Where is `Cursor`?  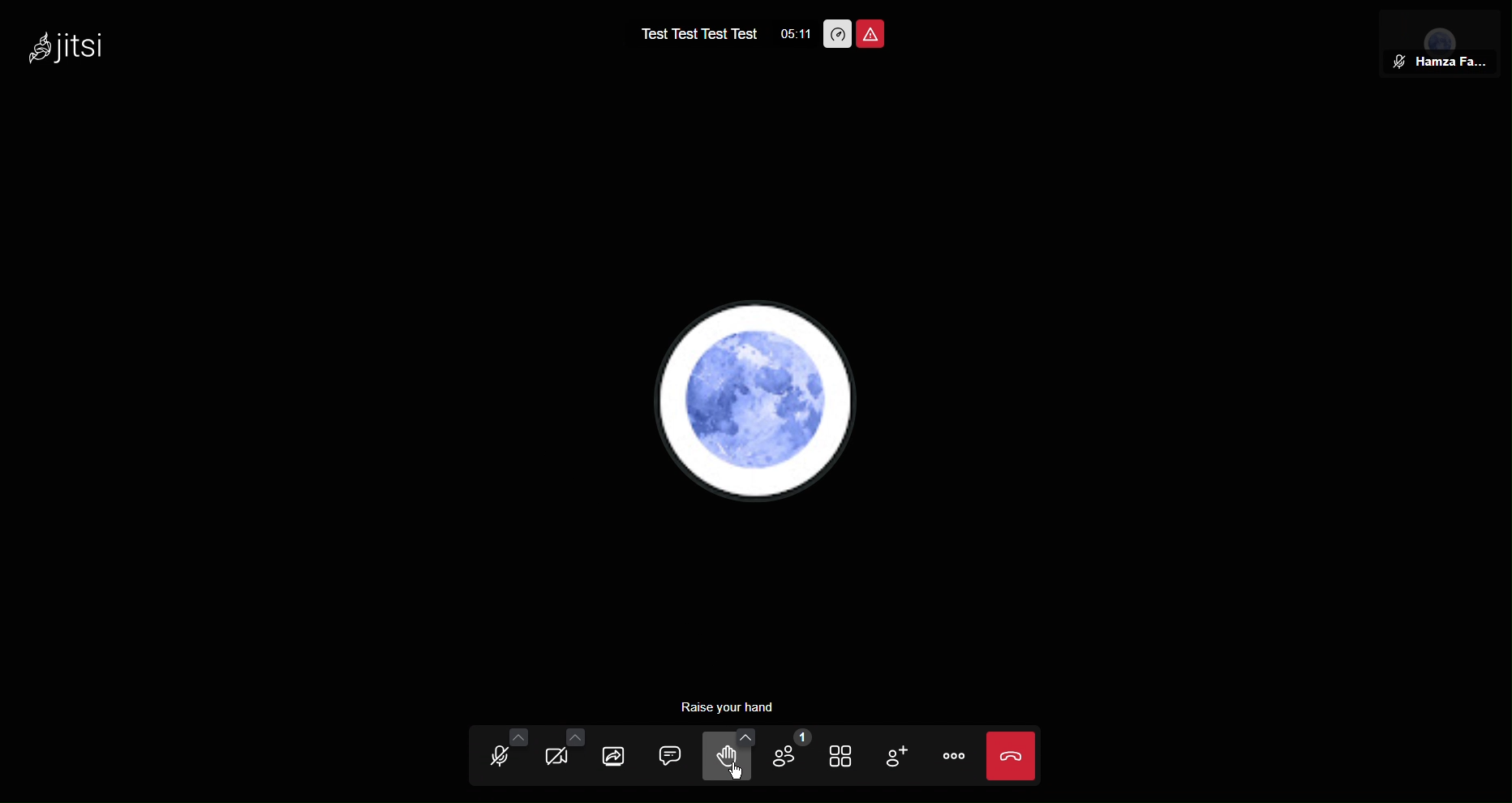 Cursor is located at coordinates (738, 773).